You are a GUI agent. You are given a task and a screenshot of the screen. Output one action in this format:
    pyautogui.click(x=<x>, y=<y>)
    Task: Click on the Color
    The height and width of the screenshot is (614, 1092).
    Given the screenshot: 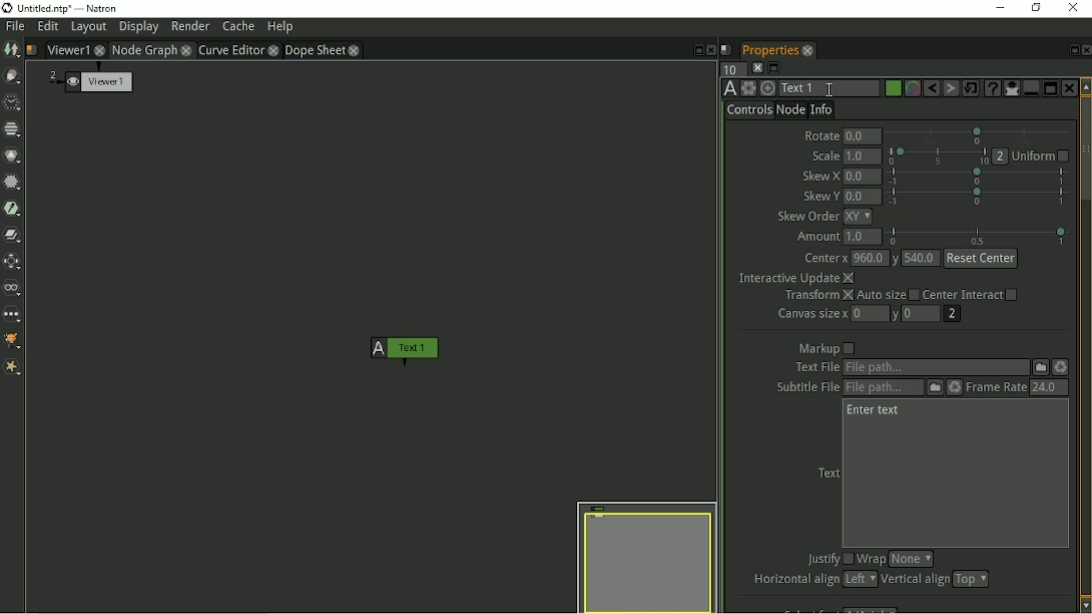 What is the action you would take?
    pyautogui.click(x=14, y=156)
    